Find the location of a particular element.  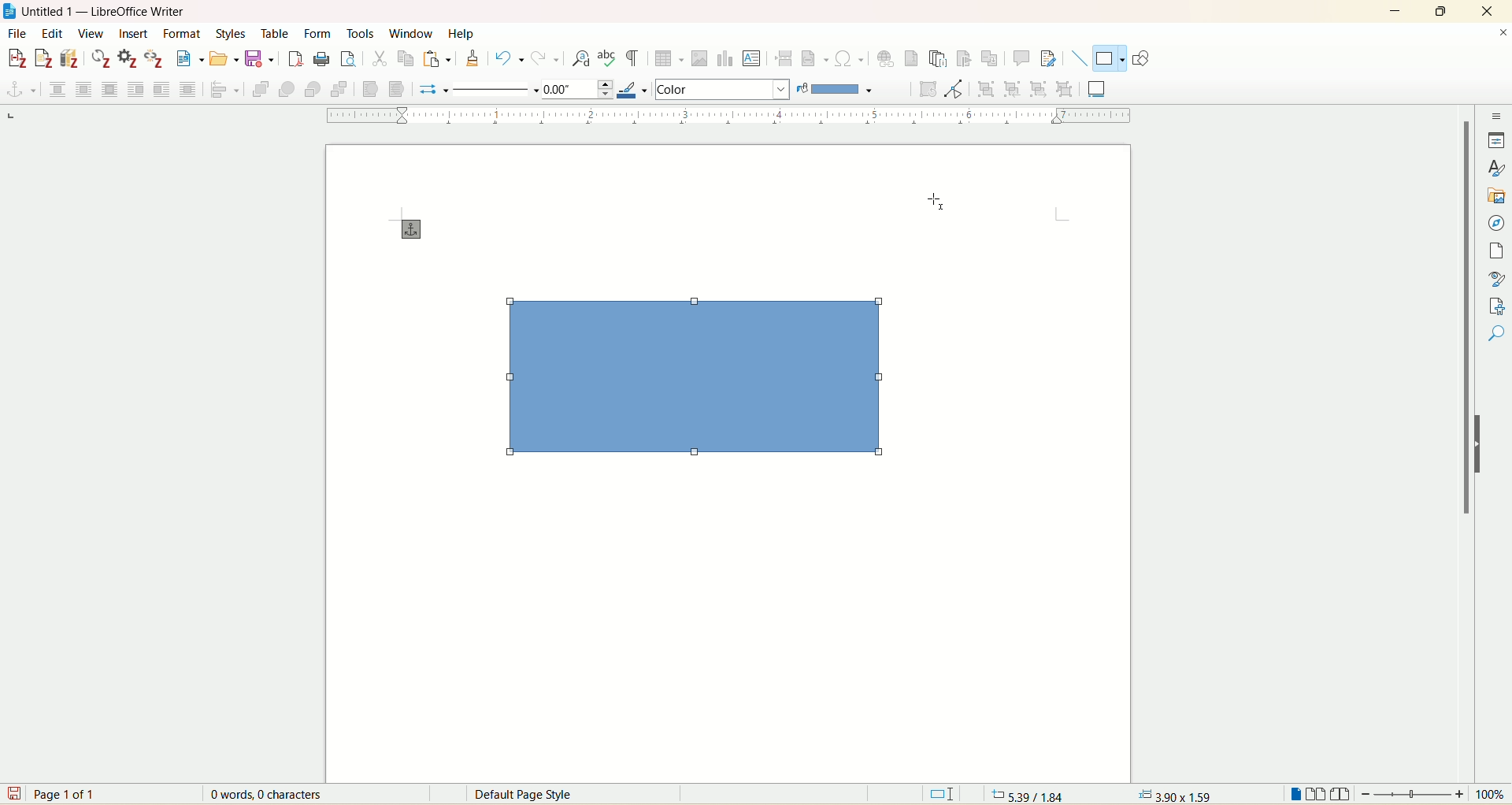

ungroup is located at coordinates (1064, 90).